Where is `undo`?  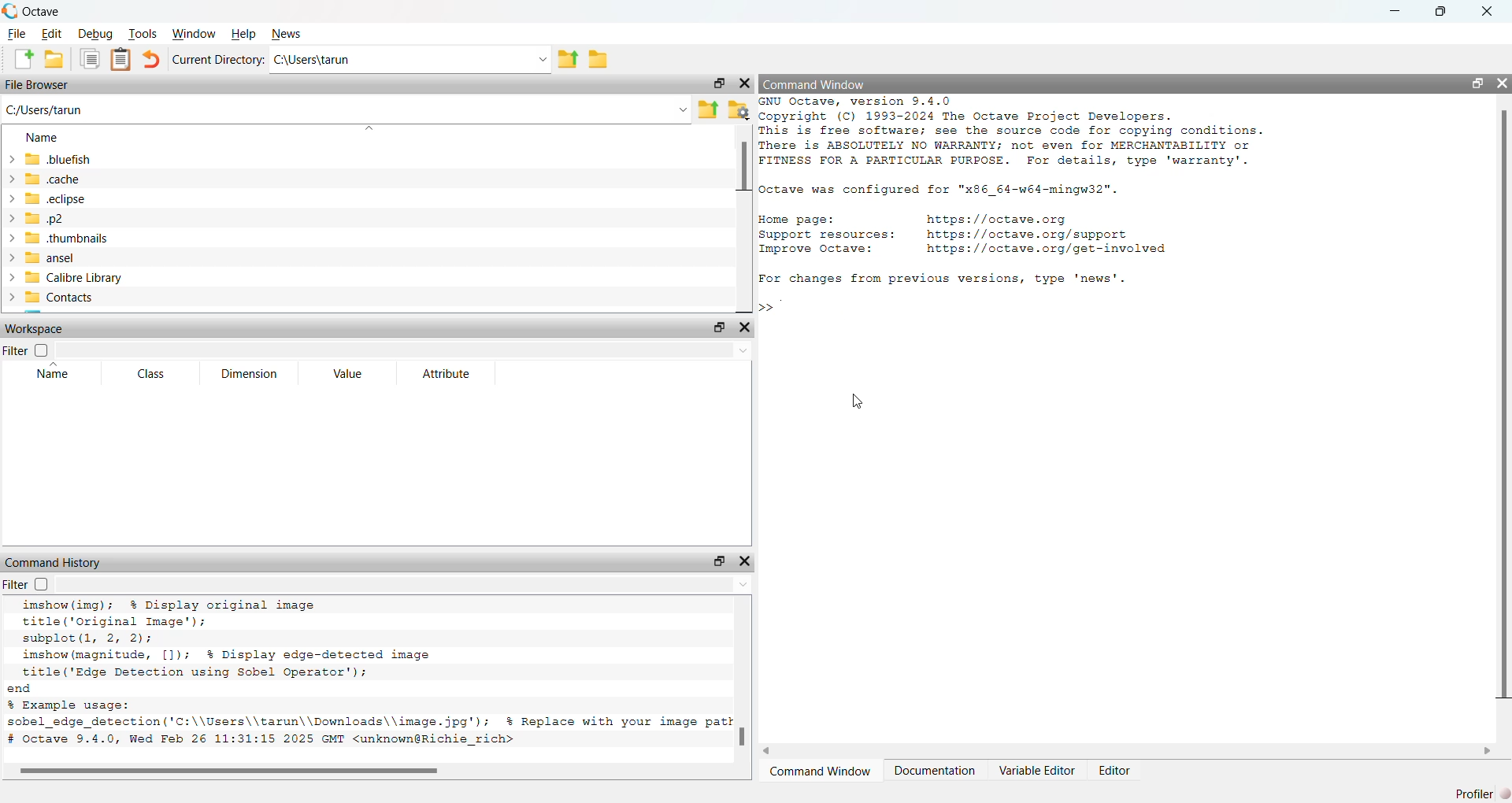
undo is located at coordinates (150, 60).